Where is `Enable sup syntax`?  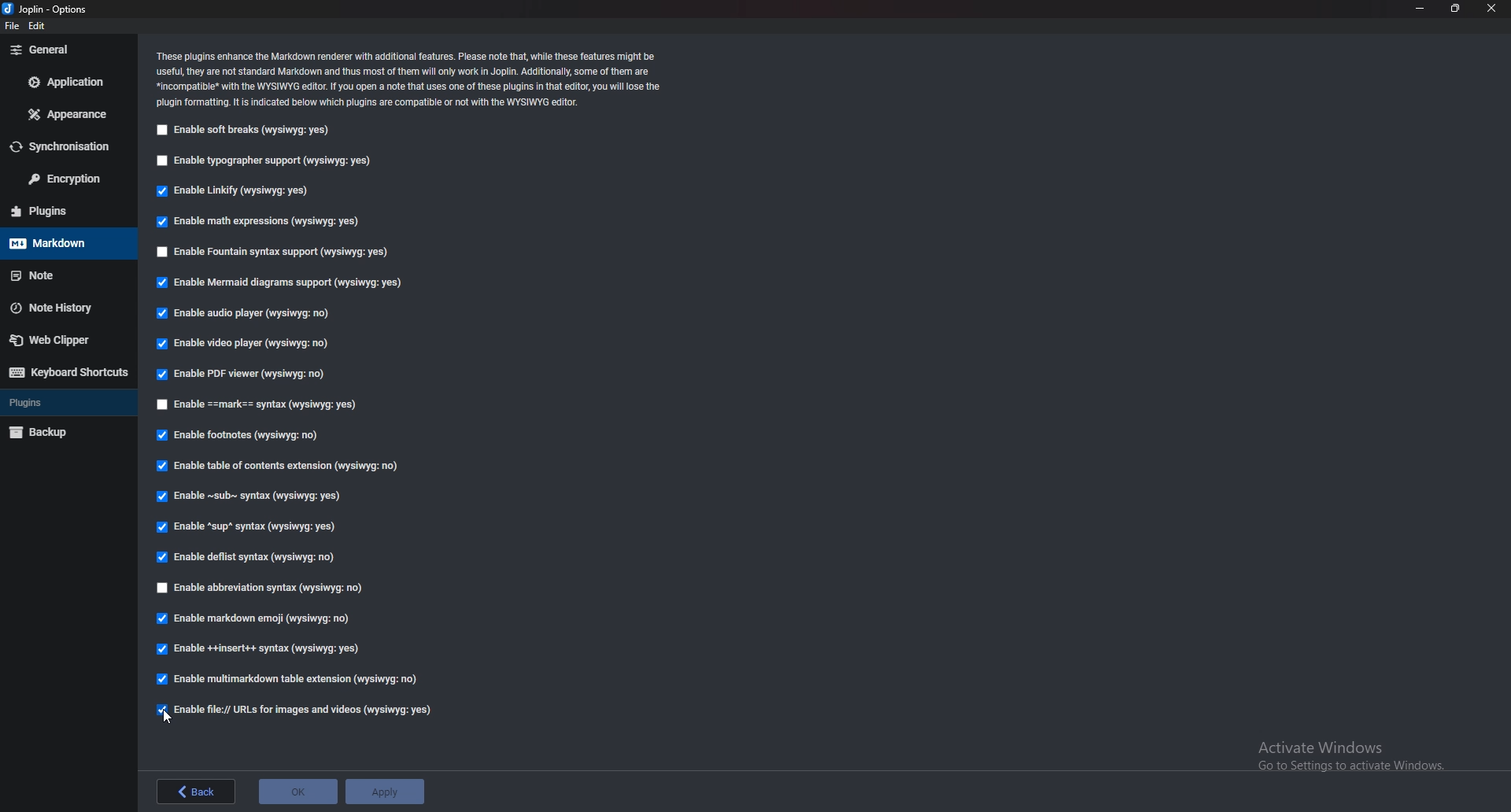
Enable sup syntax is located at coordinates (251, 529).